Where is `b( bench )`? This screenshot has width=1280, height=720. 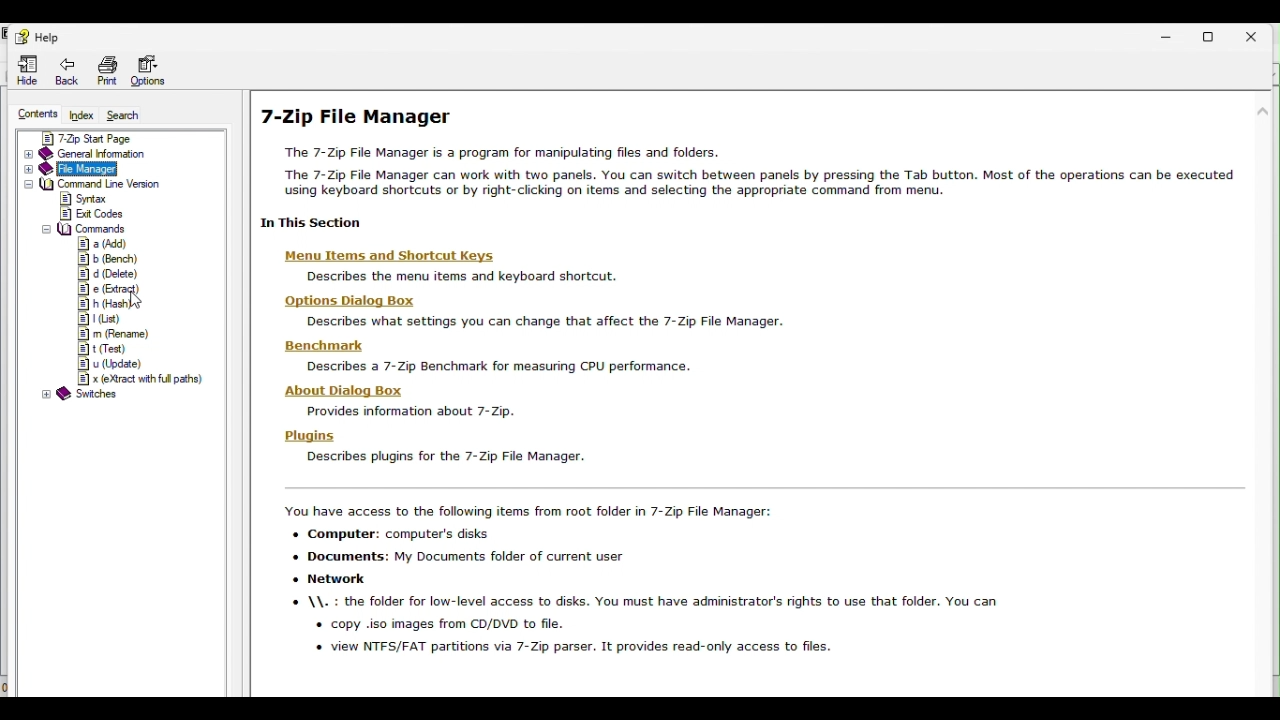 b( bench ) is located at coordinates (108, 259).